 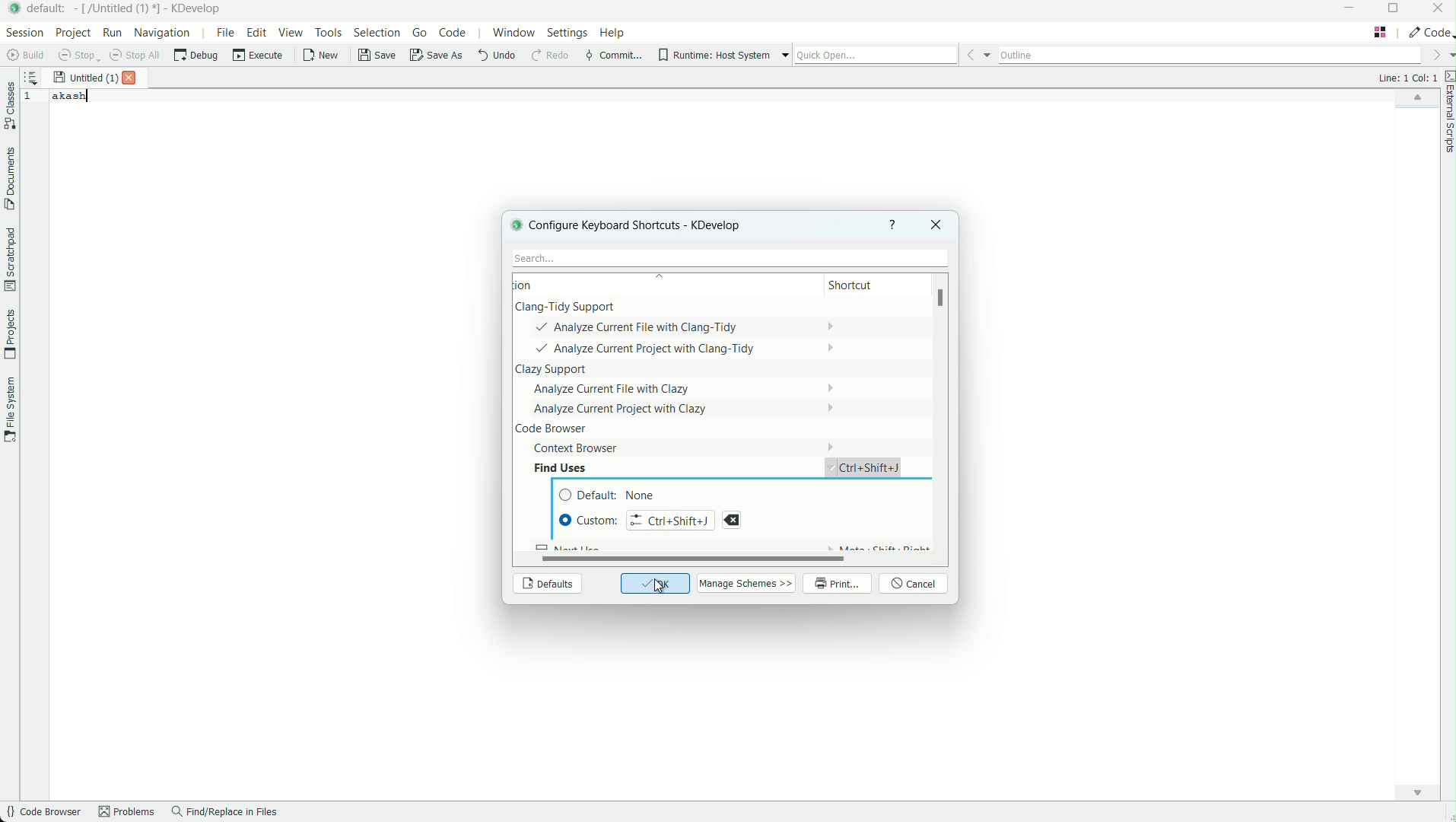 What do you see at coordinates (669, 378) in the screenshot?
I see `actions` at bounding box center [669, 378].